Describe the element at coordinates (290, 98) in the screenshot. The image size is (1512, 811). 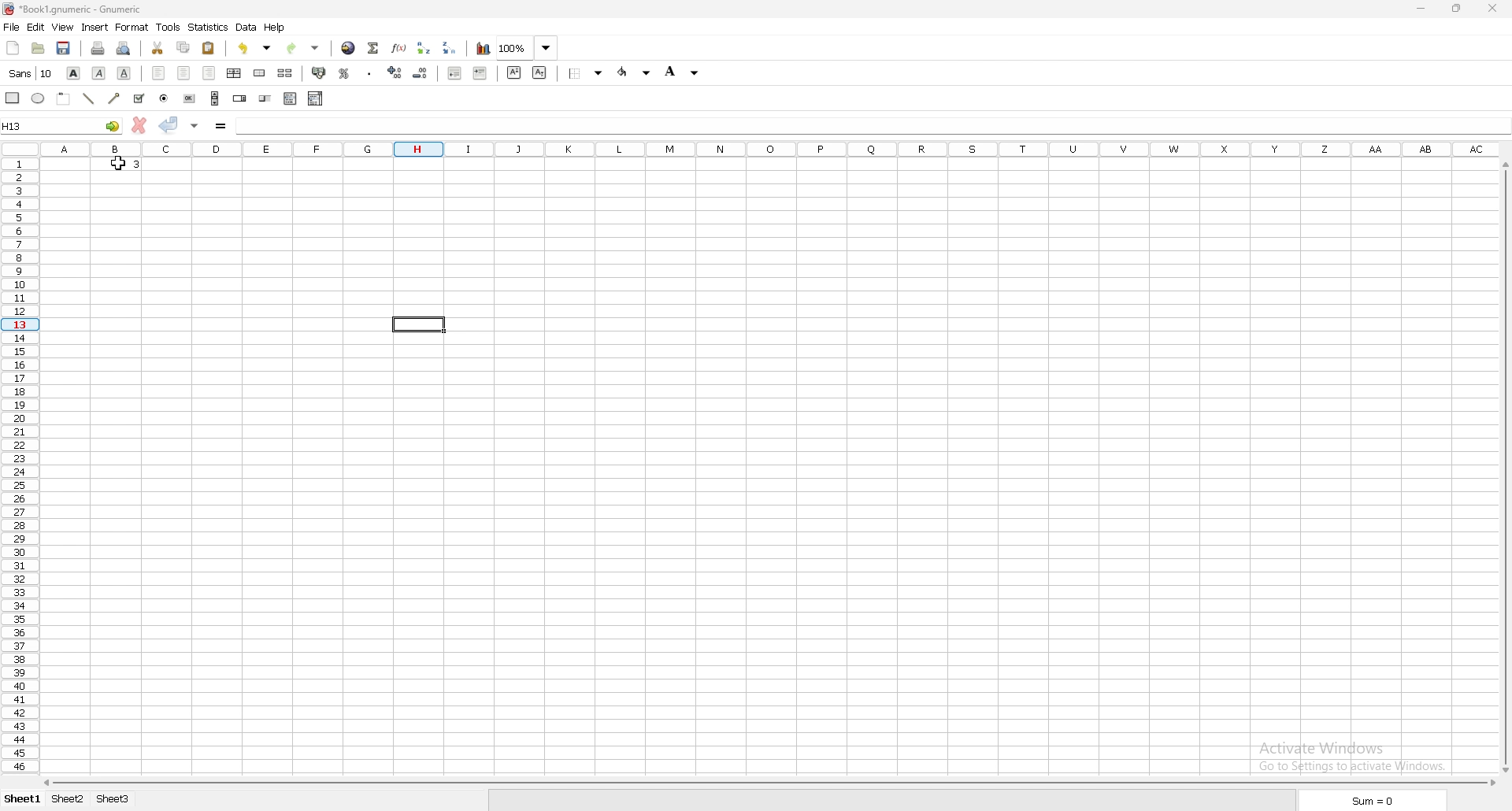
I see `list` at that location.